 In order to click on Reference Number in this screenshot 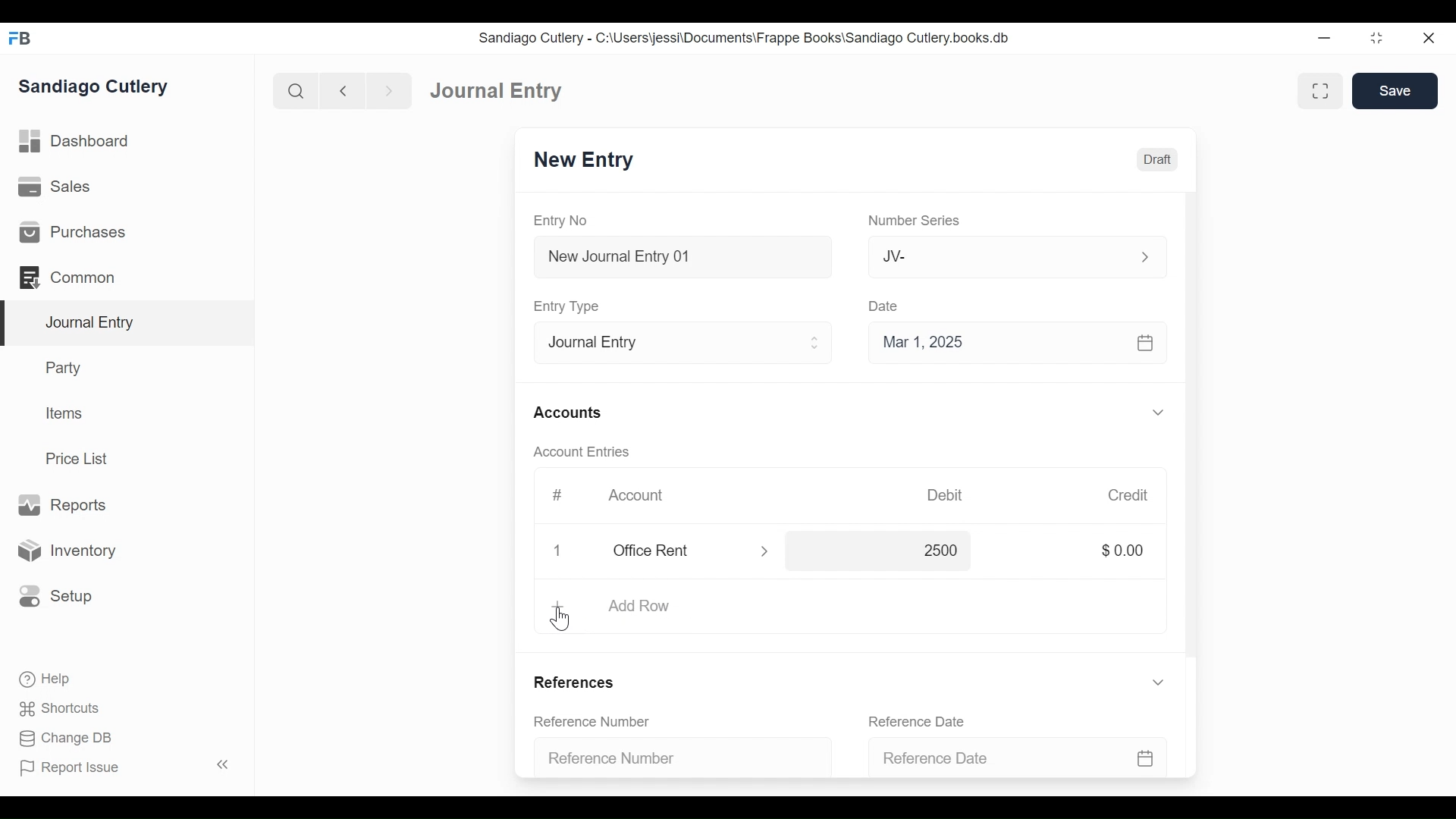, I will do `click(680, 759)`.